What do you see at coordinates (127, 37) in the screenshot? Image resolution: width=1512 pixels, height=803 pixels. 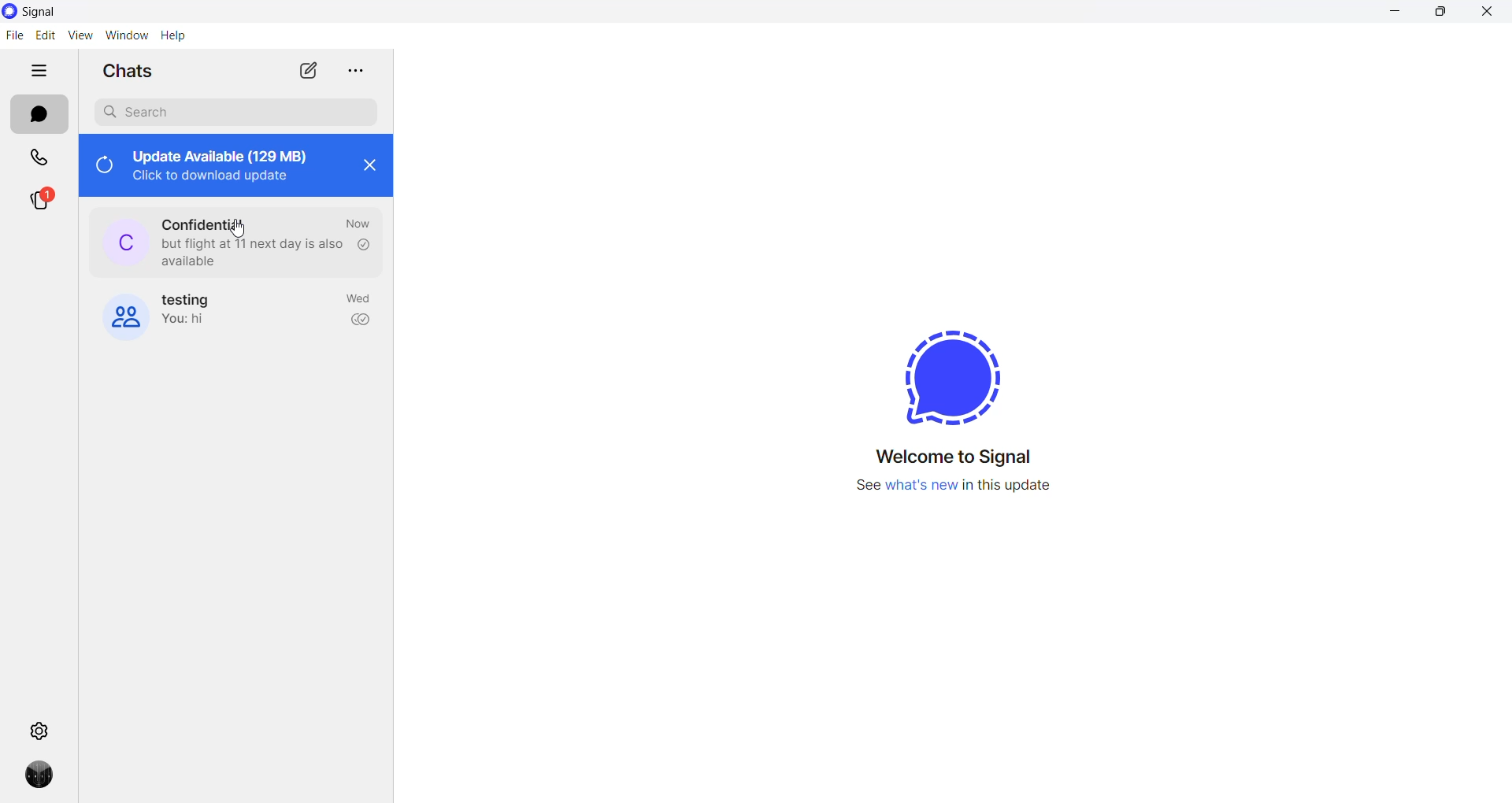 I see `window` at bounding box center [127, 37].